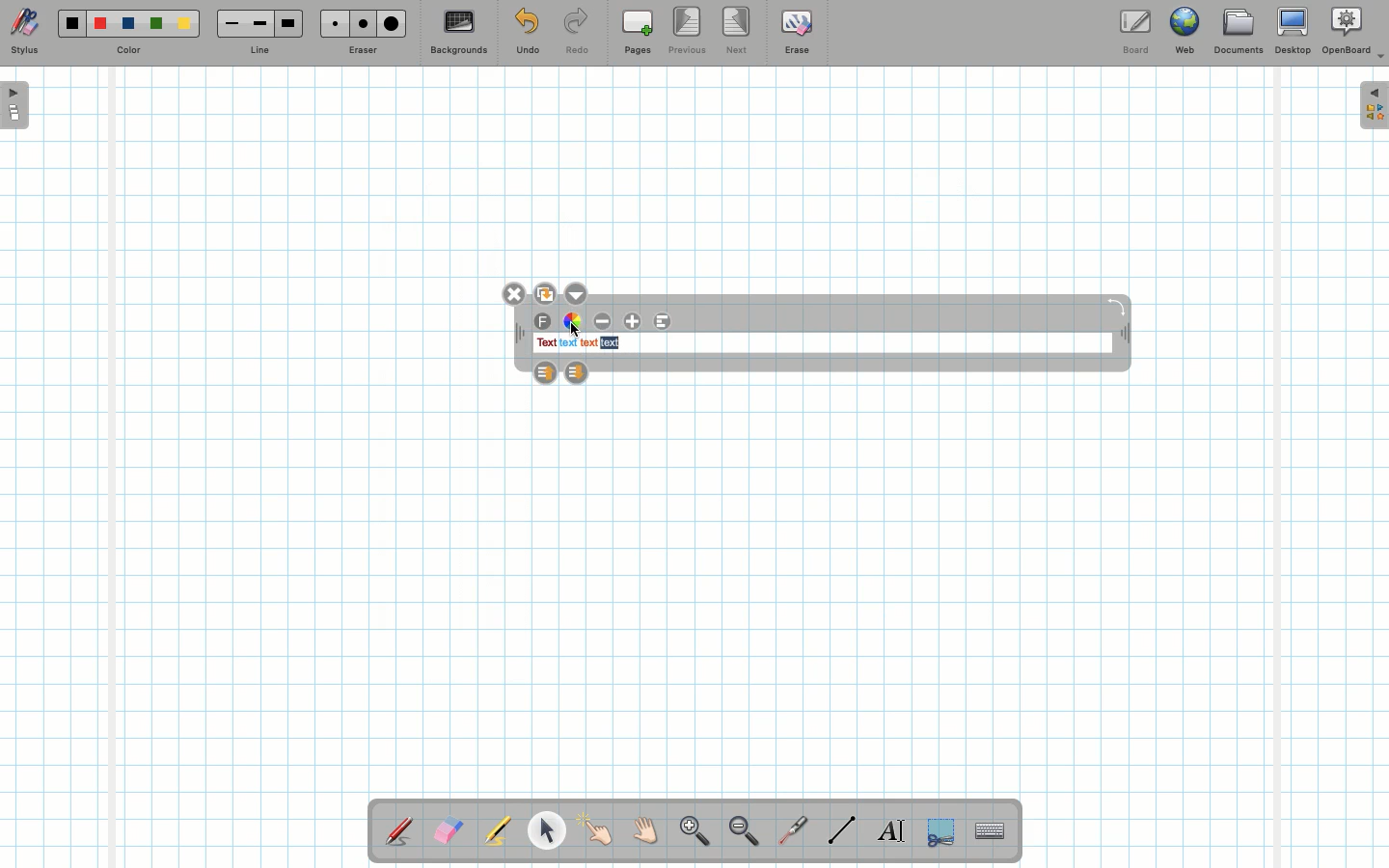 The width and height of the screenshot is (1389, 868). I want to click on Desktop, so click(1295, 31).